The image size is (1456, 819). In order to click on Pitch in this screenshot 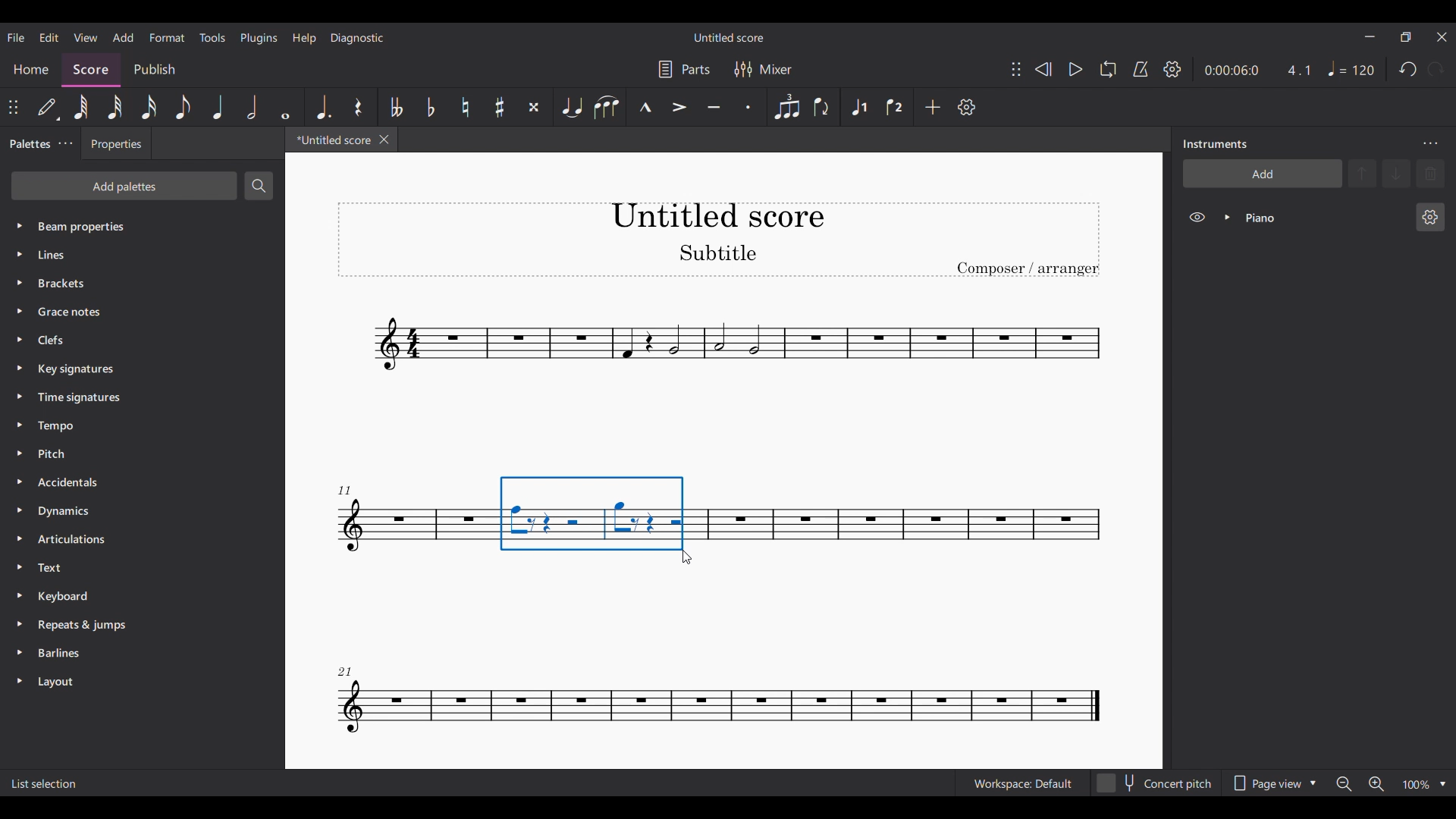, I will do `click(129, 453)`.